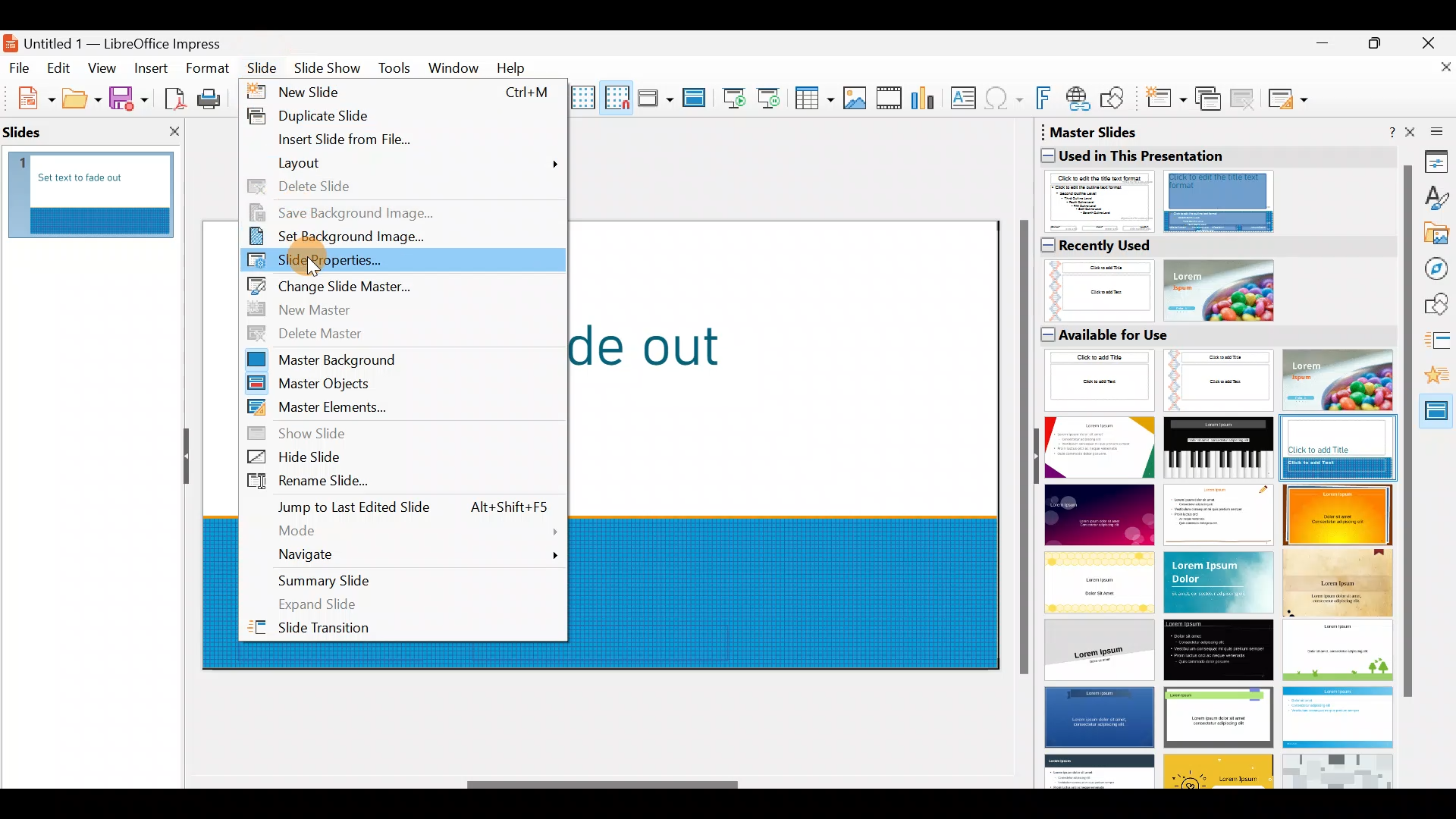 Image resolution: width=1456 pixels, height=819 pixels. Describe the element at coordinates (1438, 416) in the screenshot. I see `Master slides` at that location.